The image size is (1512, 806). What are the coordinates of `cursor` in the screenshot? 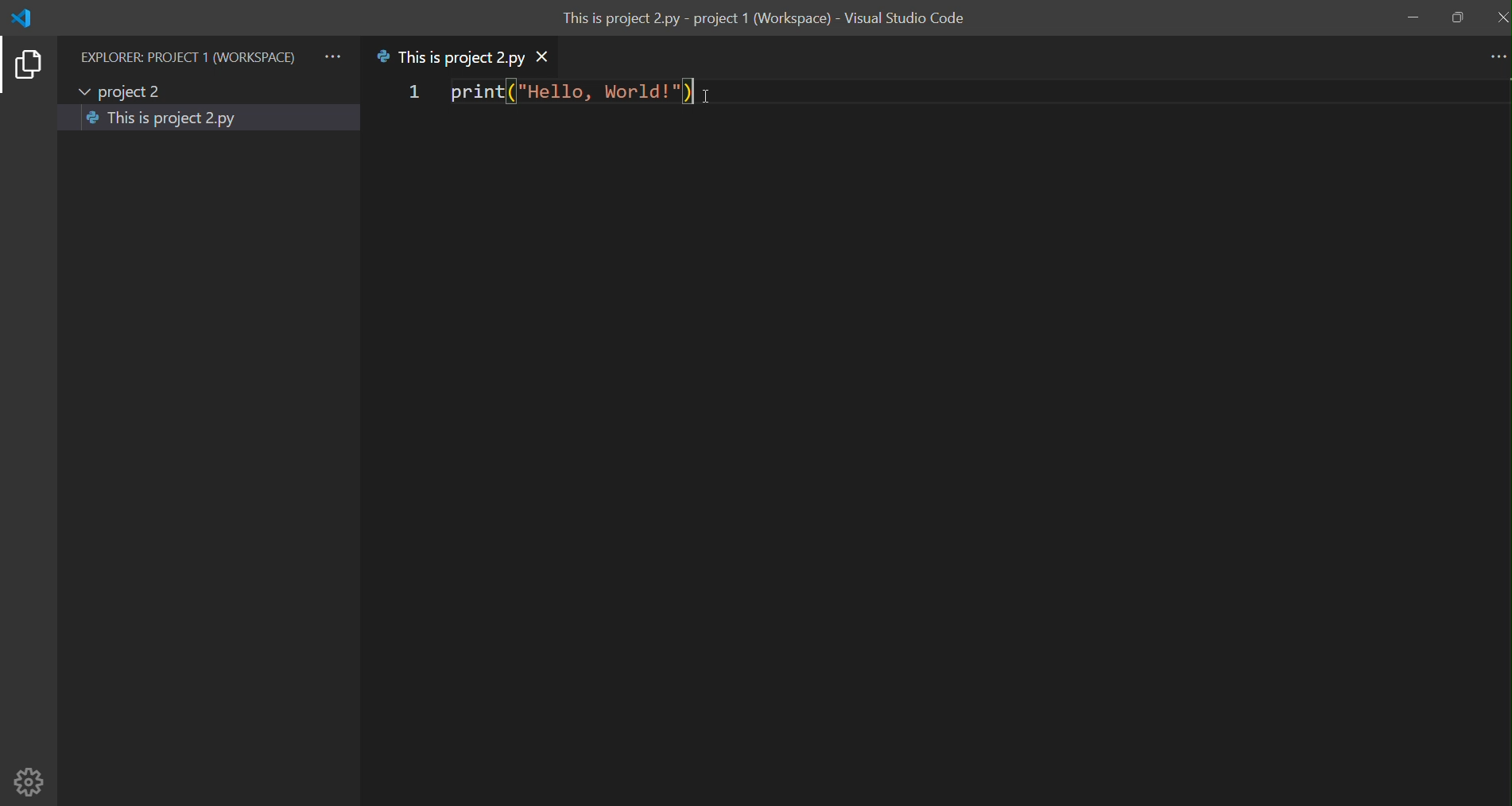 It's located at (715, 96).